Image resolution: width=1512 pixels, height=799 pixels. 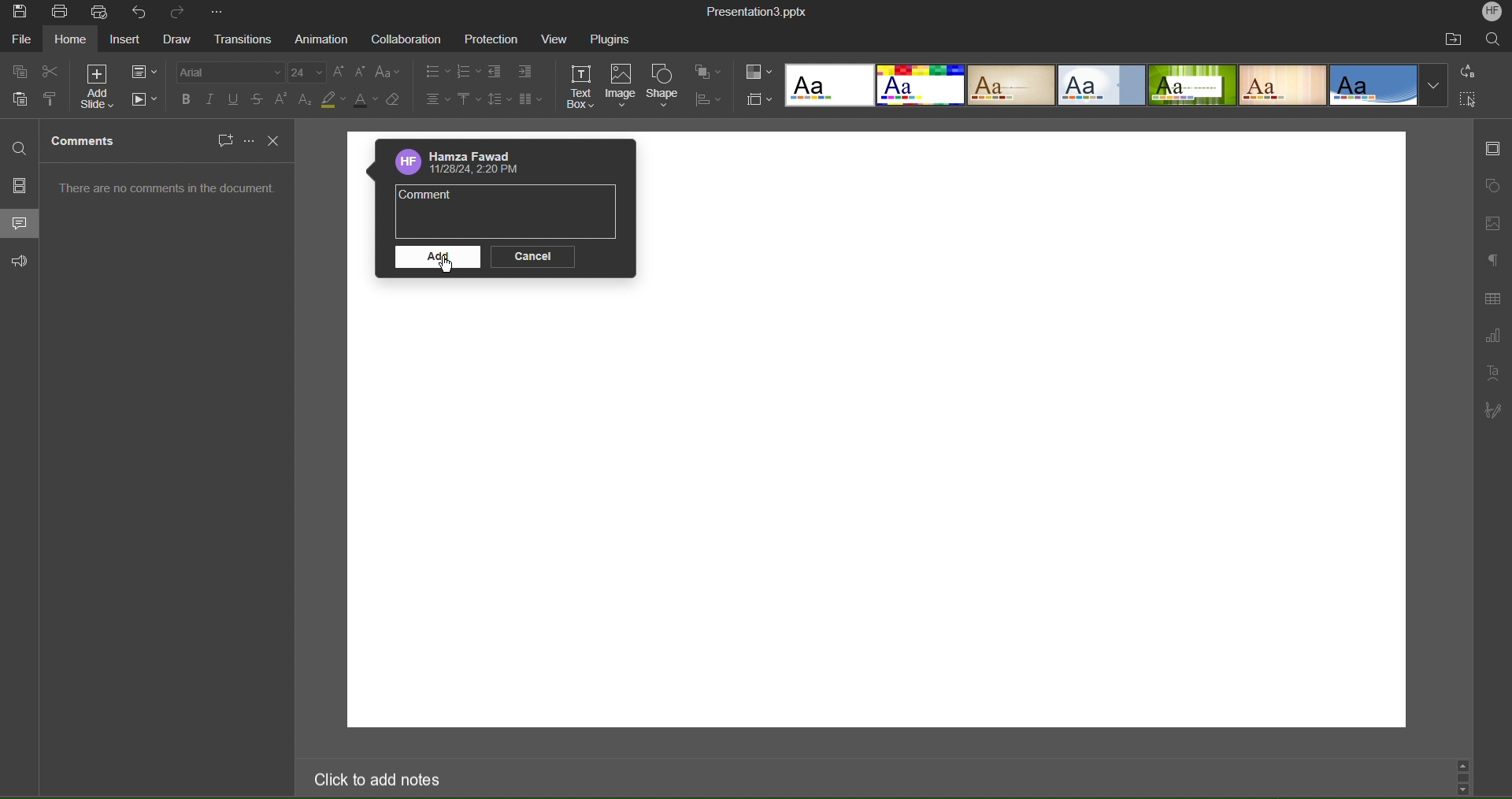 I want to click on Animation, so click(x=324, y=41).